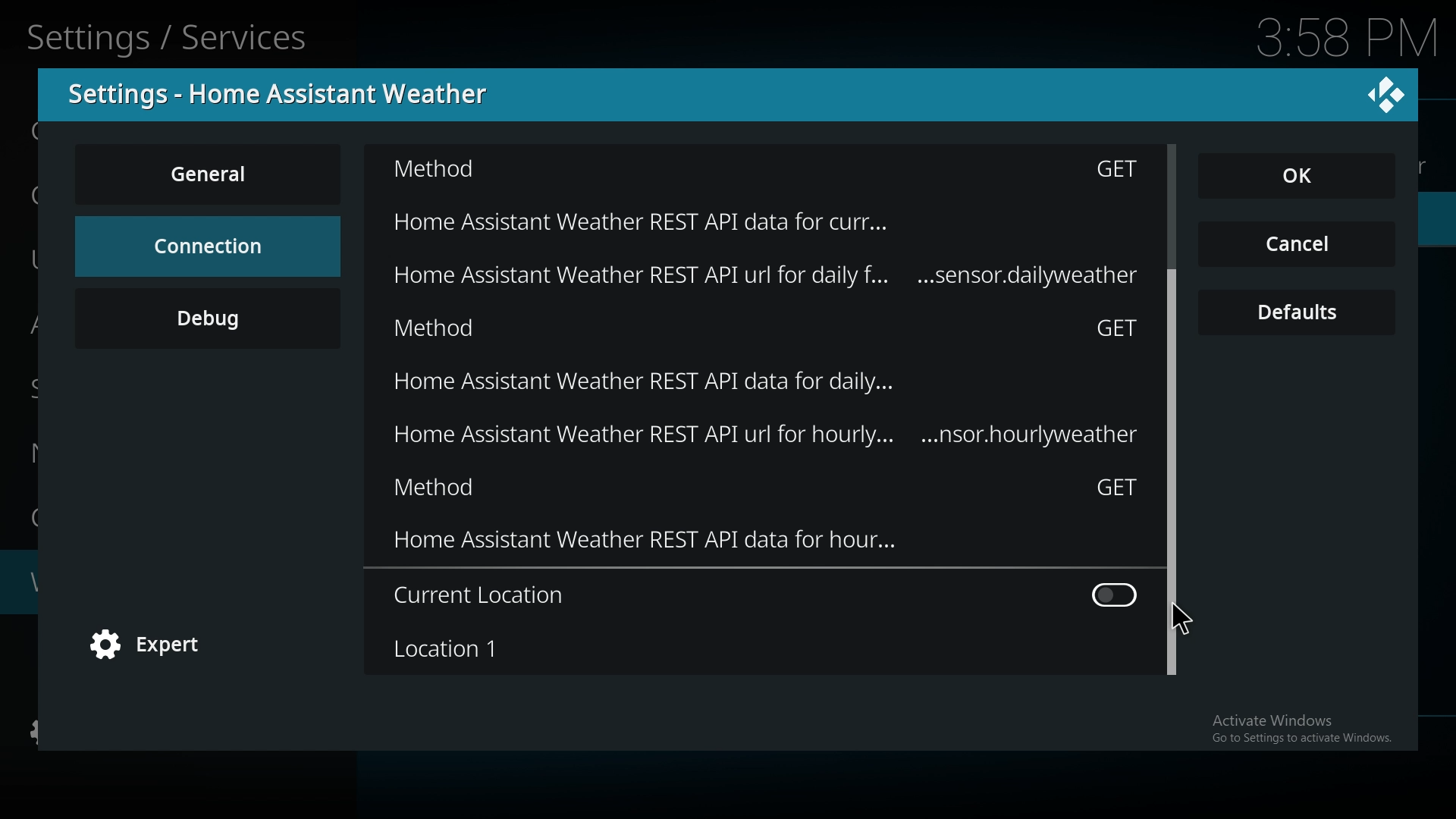  I want to click on method, so click(769, 331).